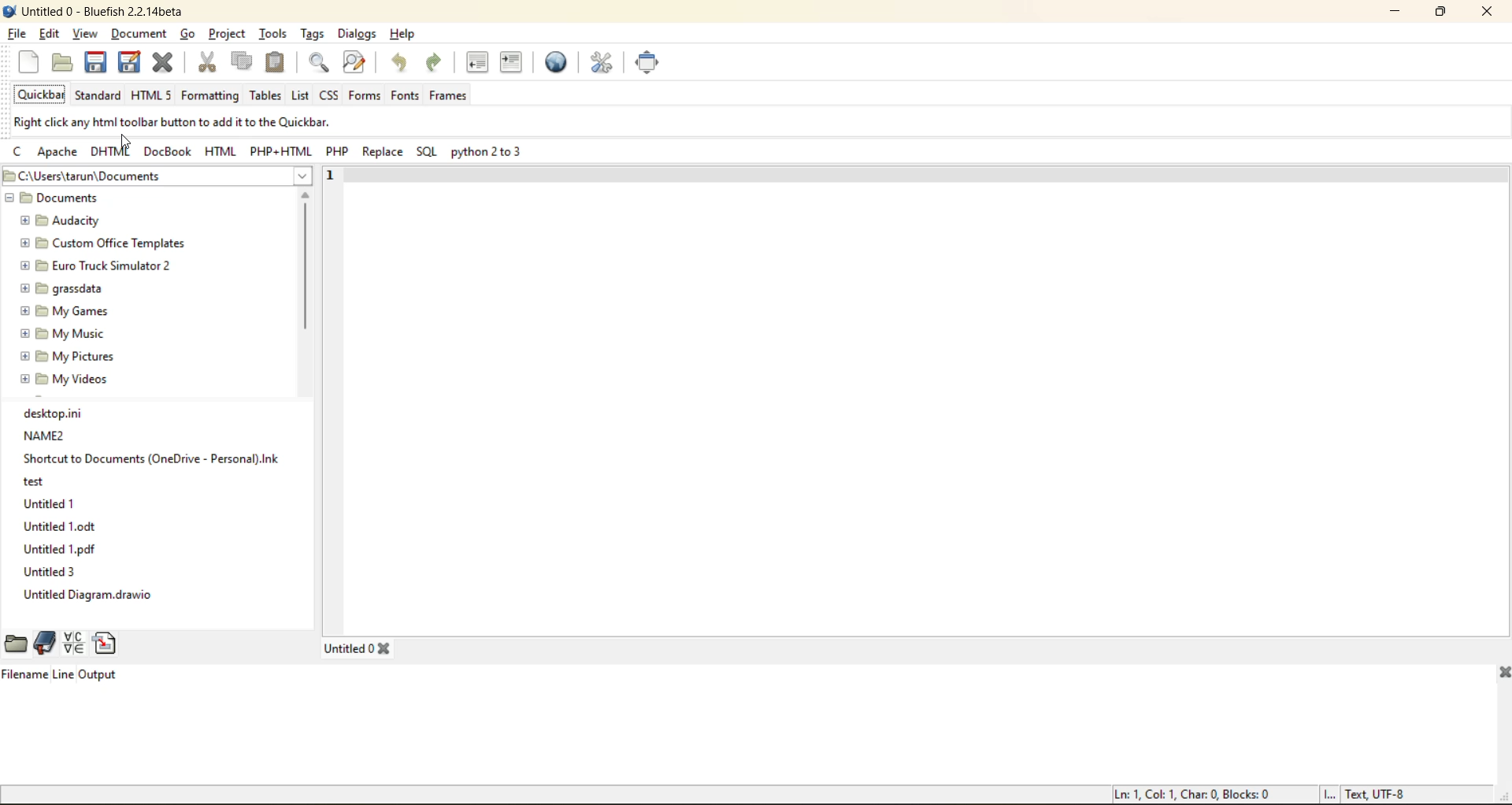  Describe the element at coordinates (603, 64) in the screenshot. I see `edit preferences` at that location.